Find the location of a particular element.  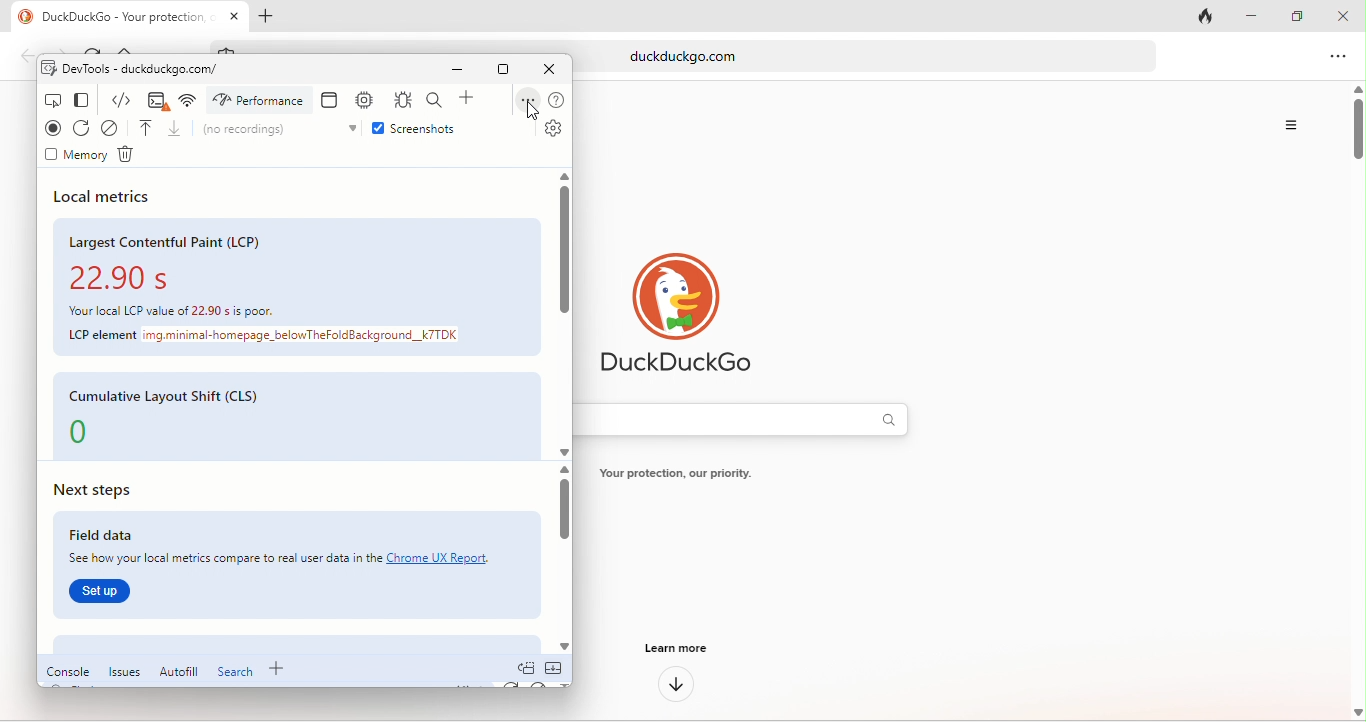

close is located at coordinates (1343, 15).